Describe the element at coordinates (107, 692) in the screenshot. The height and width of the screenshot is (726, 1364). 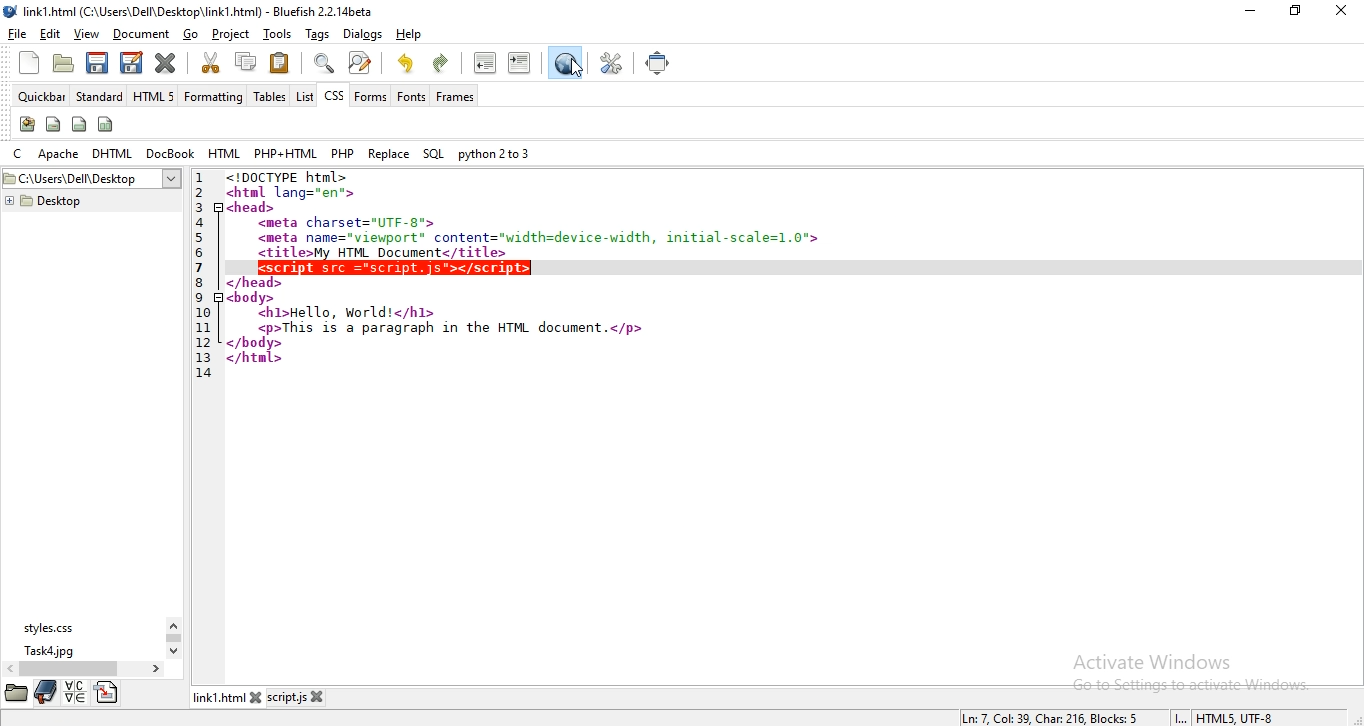
I see `directory` at that location.